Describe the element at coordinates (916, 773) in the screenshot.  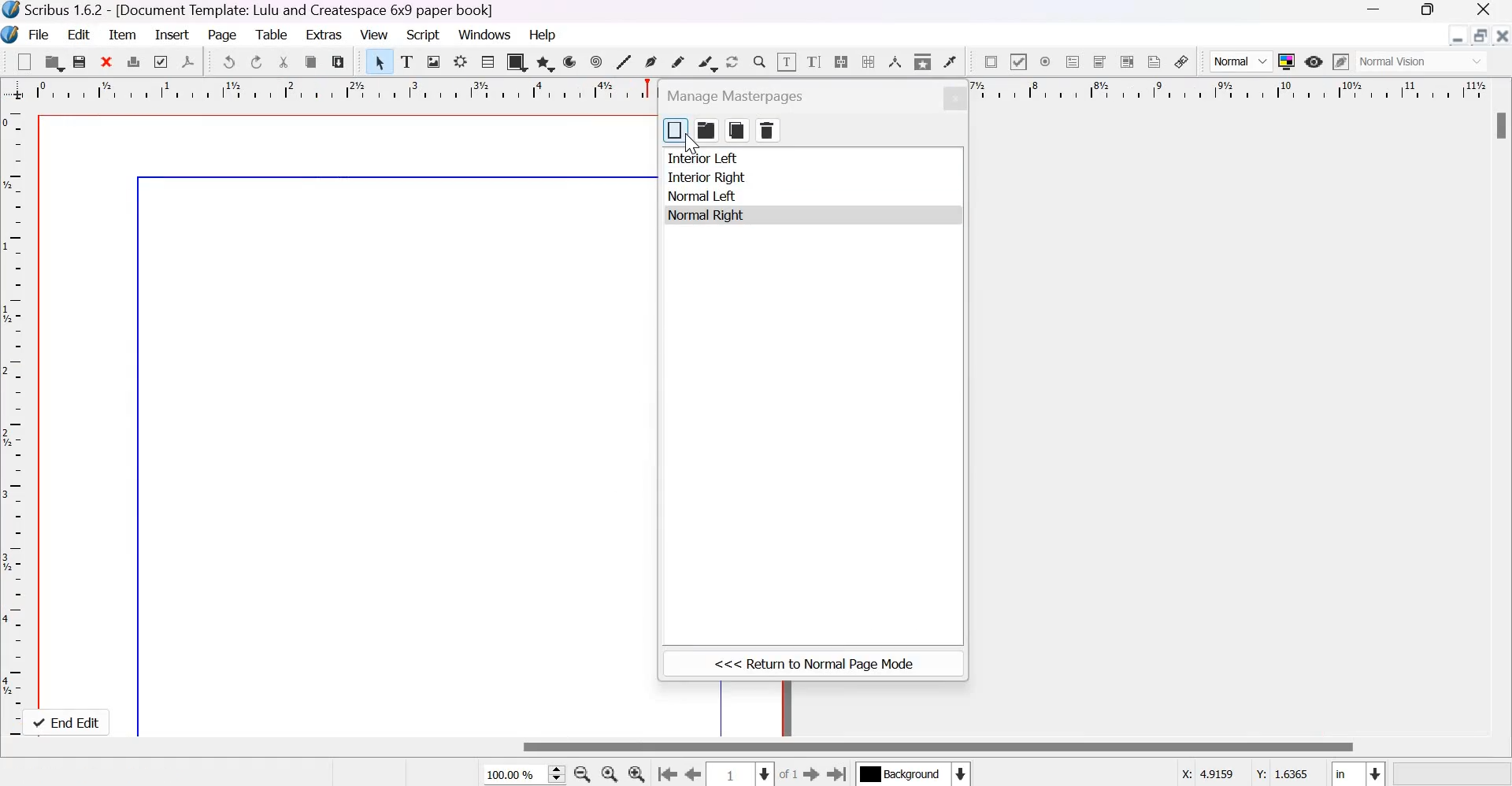
I see `Select the current layer` at that location.